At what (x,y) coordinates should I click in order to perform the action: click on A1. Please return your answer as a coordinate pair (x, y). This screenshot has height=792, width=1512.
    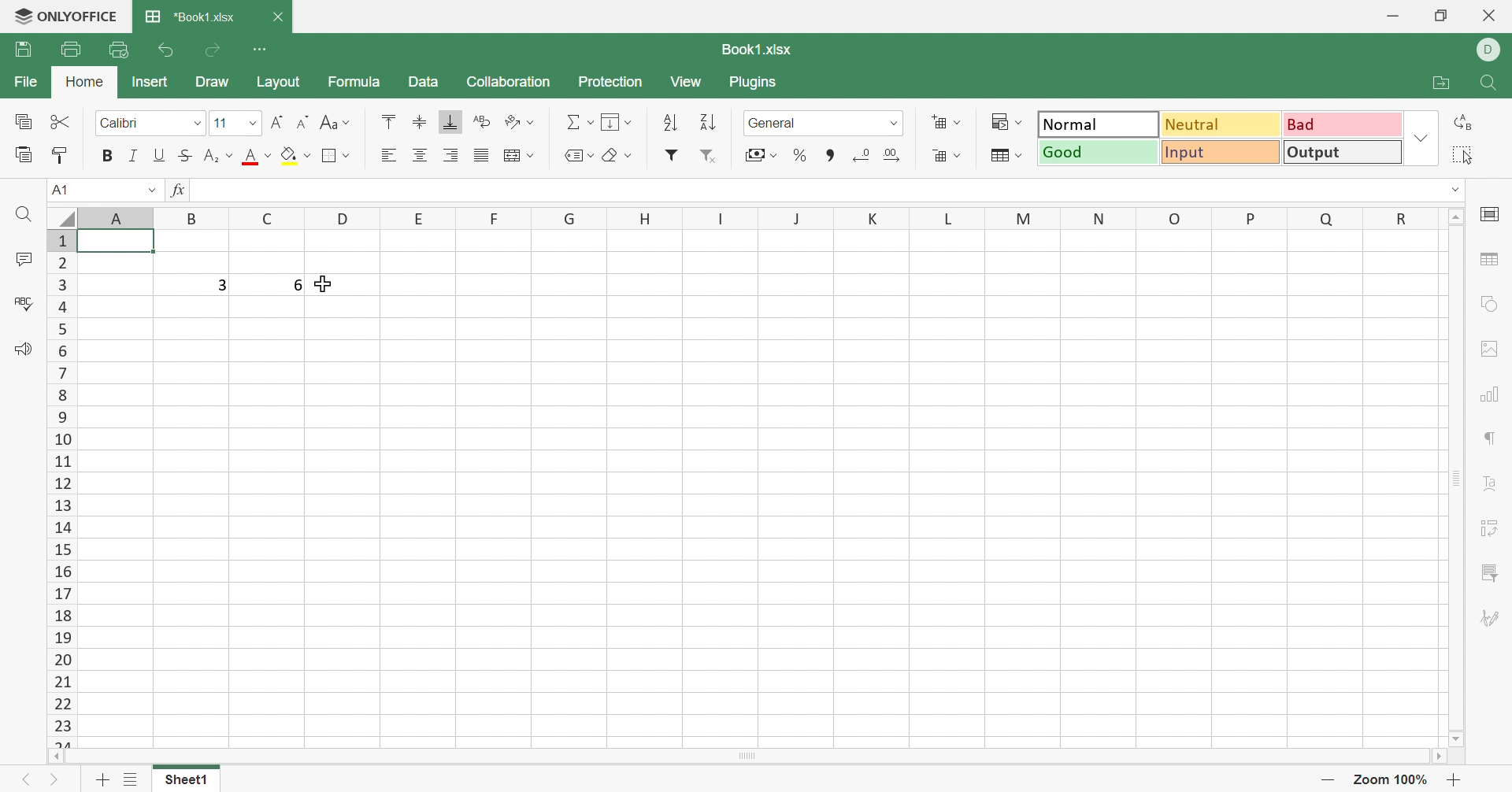
    Looking at the image, I should click on (66, 191).